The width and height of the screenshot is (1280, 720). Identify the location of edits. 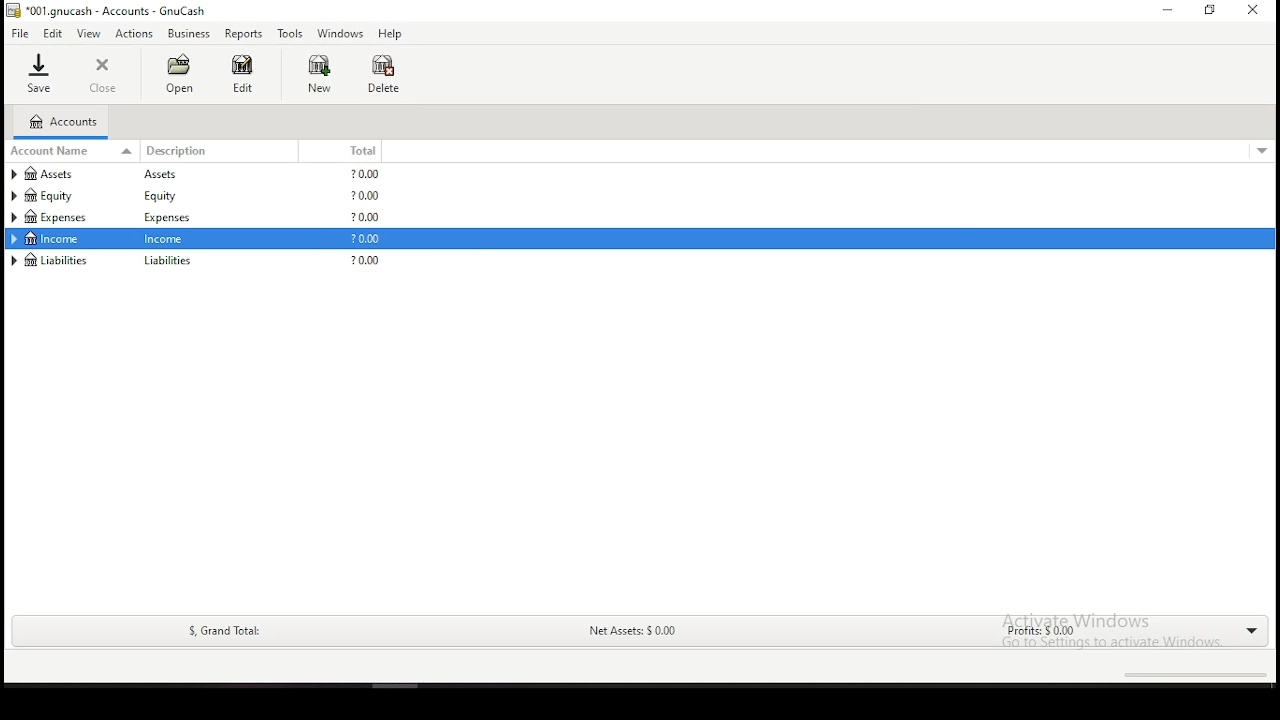
(54, 33).